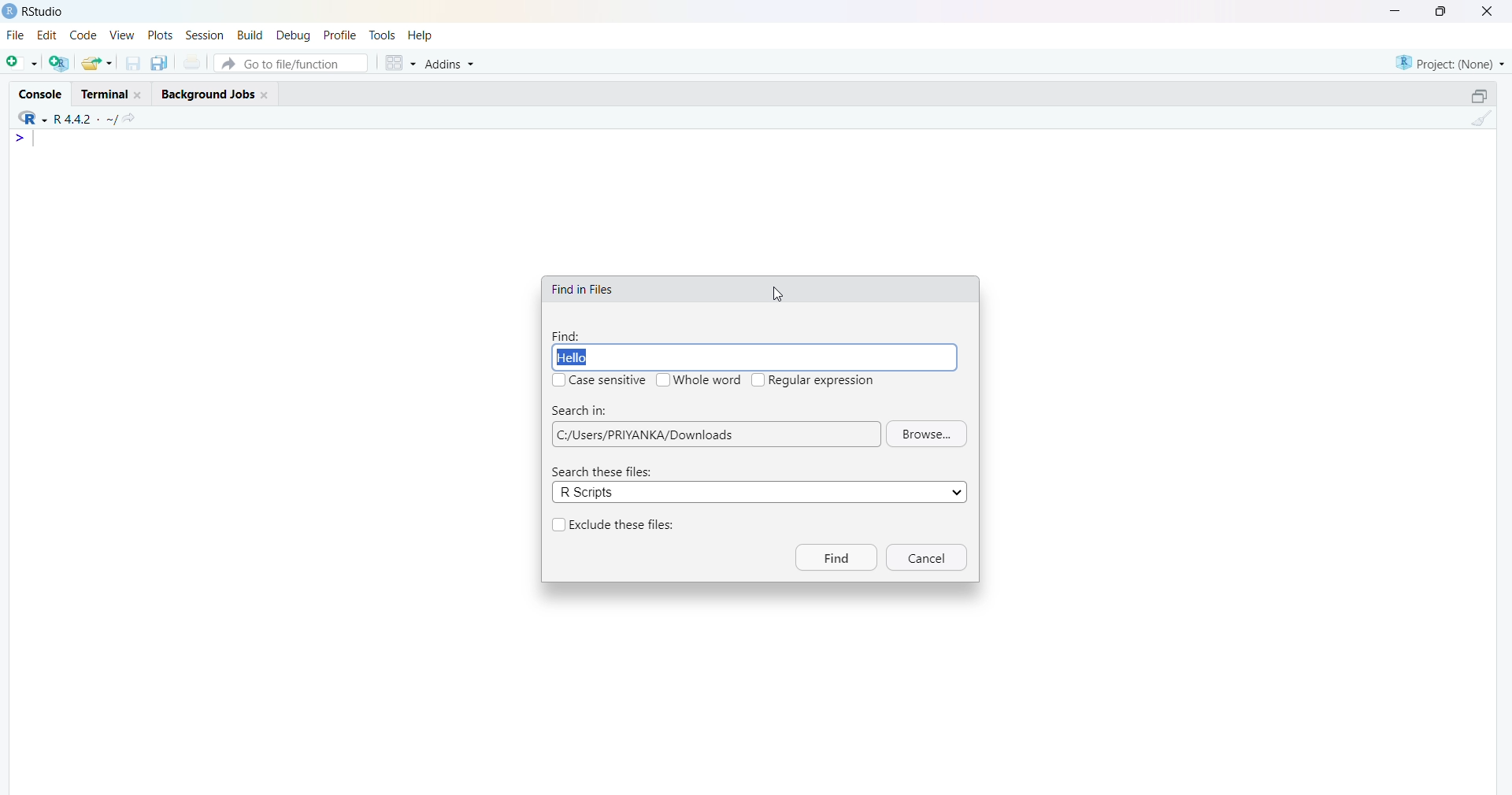 The height and width of the screenshot is (795, 1512). Describe the element at coordinates (1443, 11) in the screenshot. I see `maximise` at that location.